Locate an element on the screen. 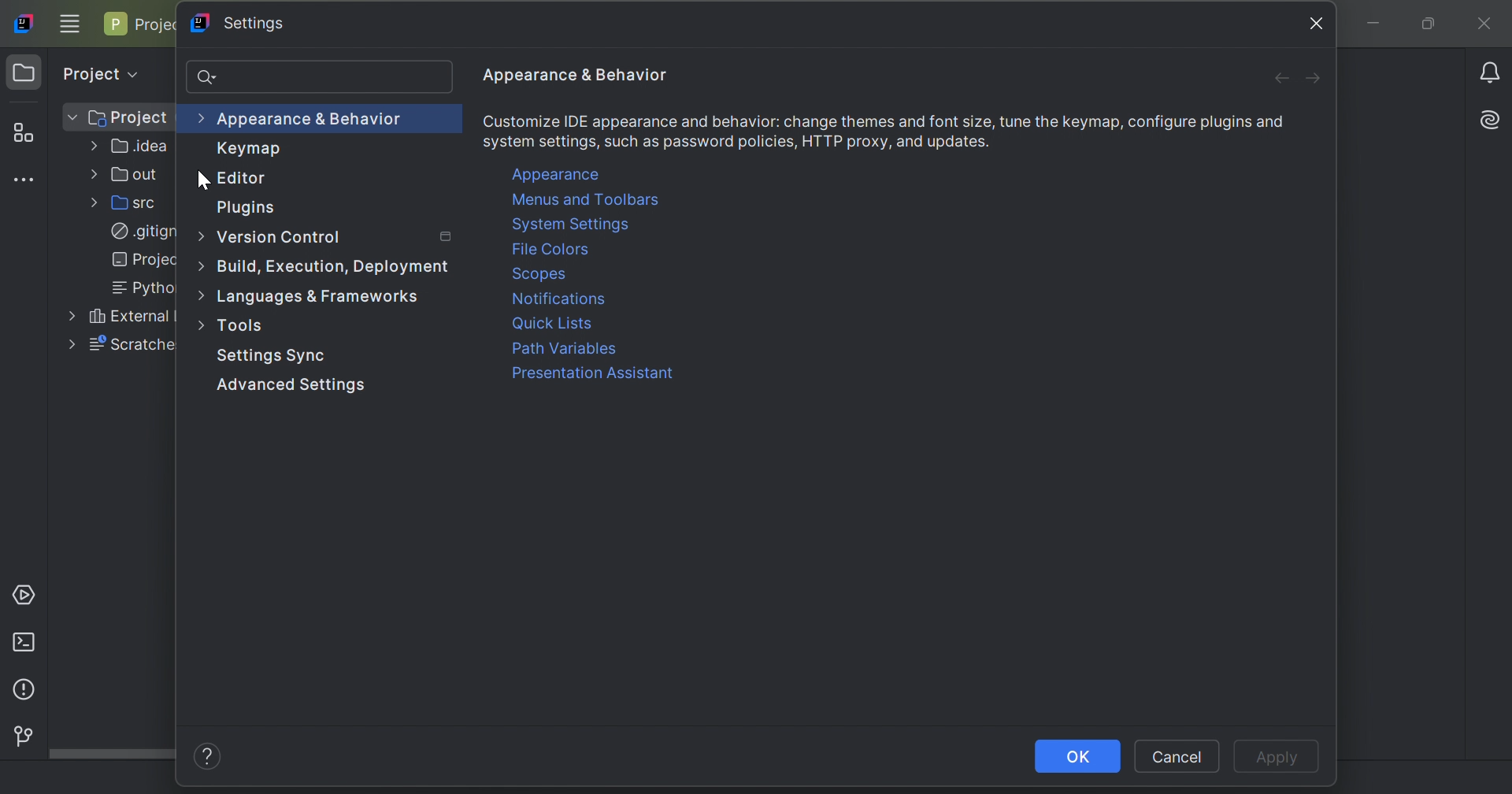 The width and height of the screenshot is (1512, 794). Show help contents is located at coordinates (209, 758).